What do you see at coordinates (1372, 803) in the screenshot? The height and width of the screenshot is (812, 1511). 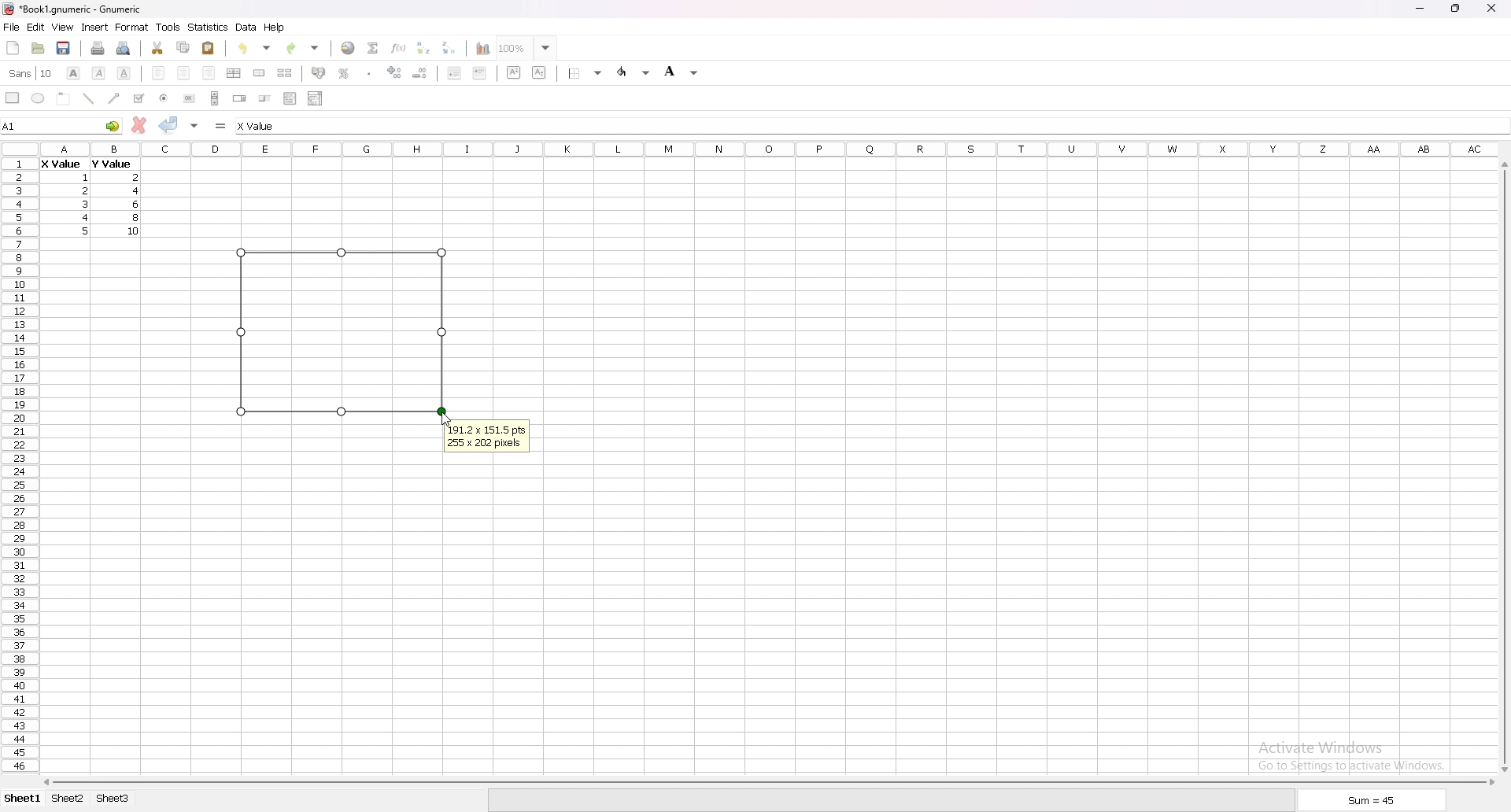 I see `sum` at bounding box center [1372, 803].